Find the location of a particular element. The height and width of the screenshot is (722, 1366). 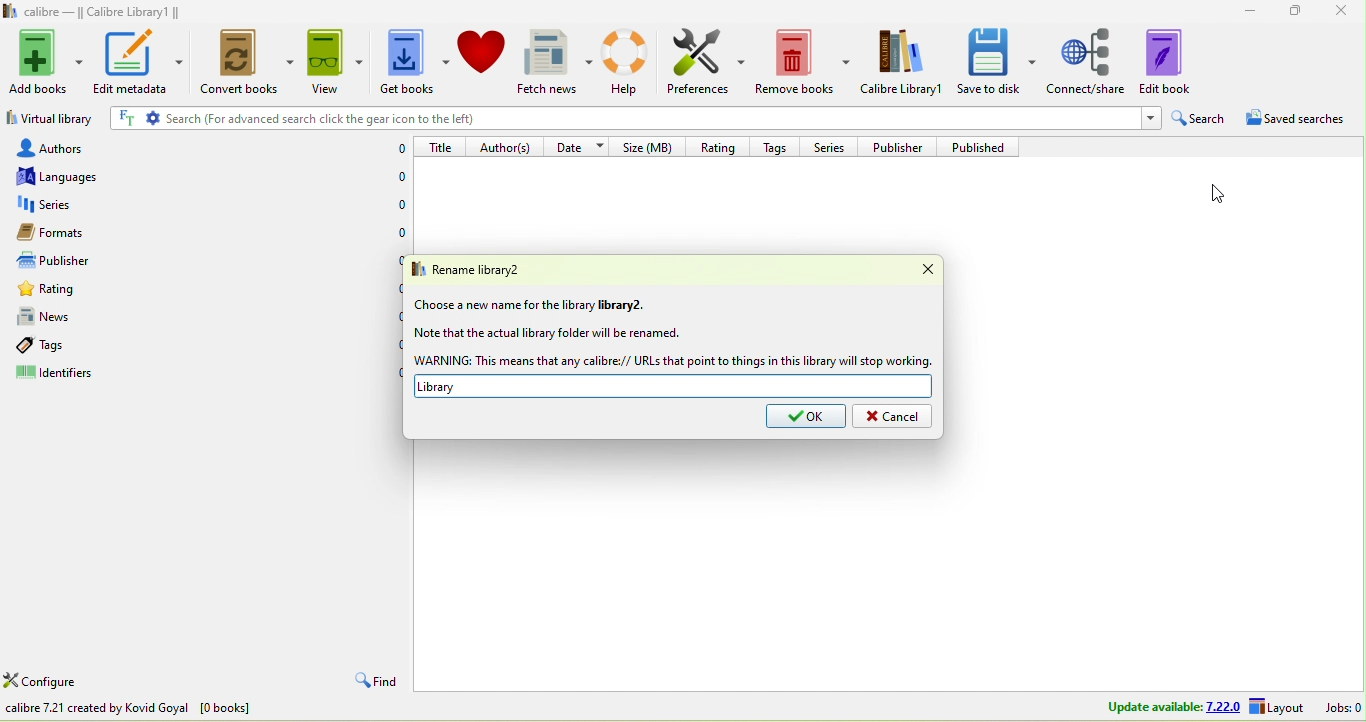

connect/share is located at coordinates (1087, 60).